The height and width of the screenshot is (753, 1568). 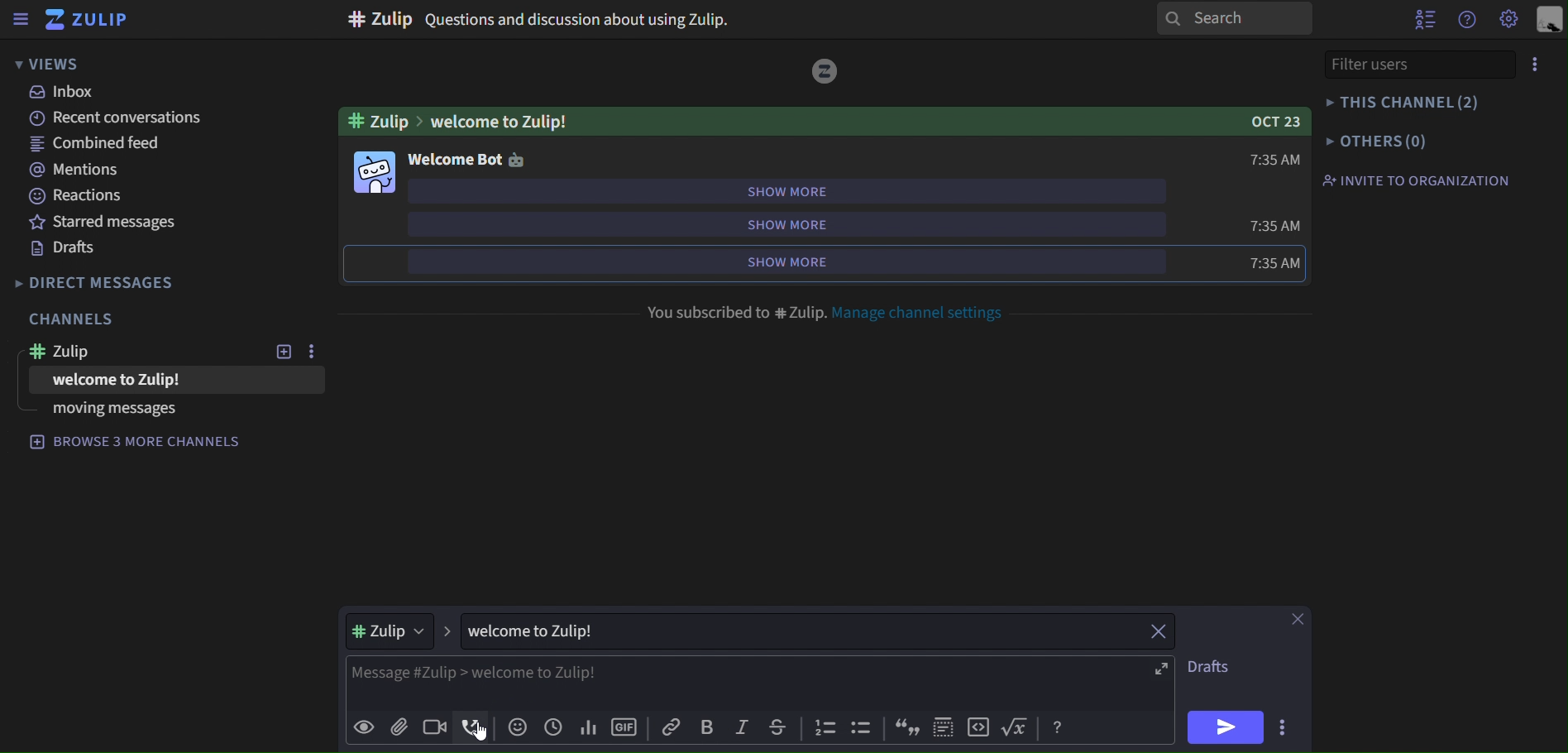 What do you see at coordinates (1278, 725) in the screenshot?
I see `more aactions` at bounding box center [1278, 725].